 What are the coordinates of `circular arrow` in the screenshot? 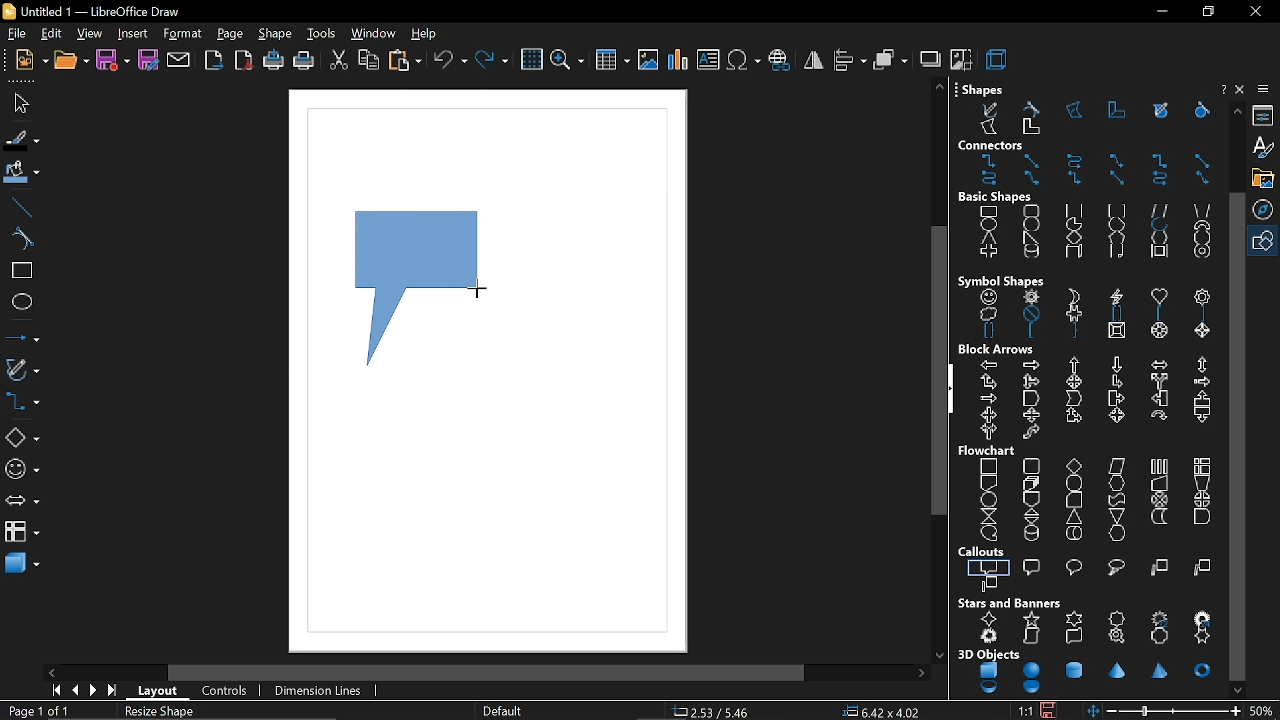 It's located at (1158, 415).